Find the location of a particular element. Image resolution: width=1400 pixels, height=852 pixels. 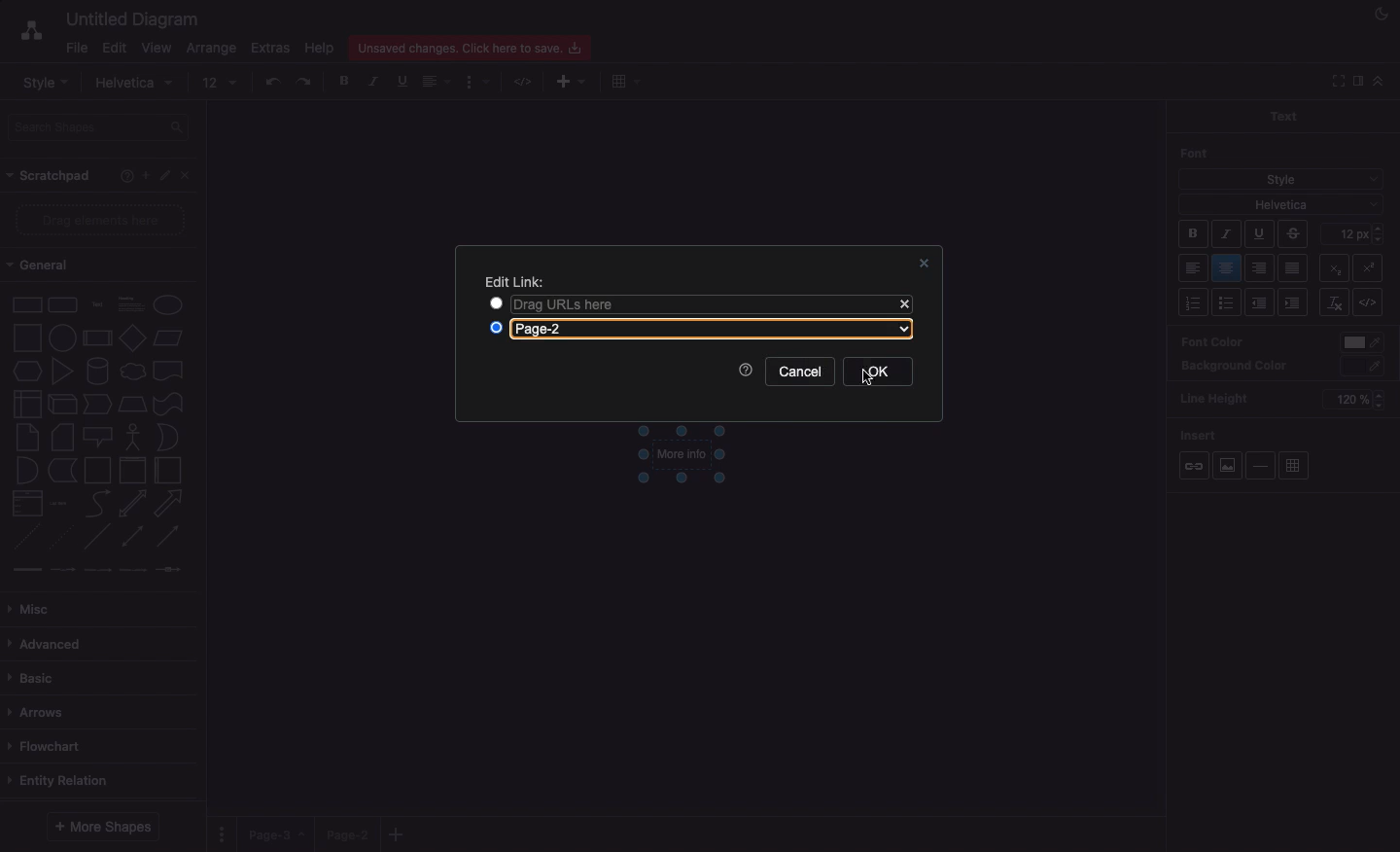

callout is located at coordinates (98, 438).